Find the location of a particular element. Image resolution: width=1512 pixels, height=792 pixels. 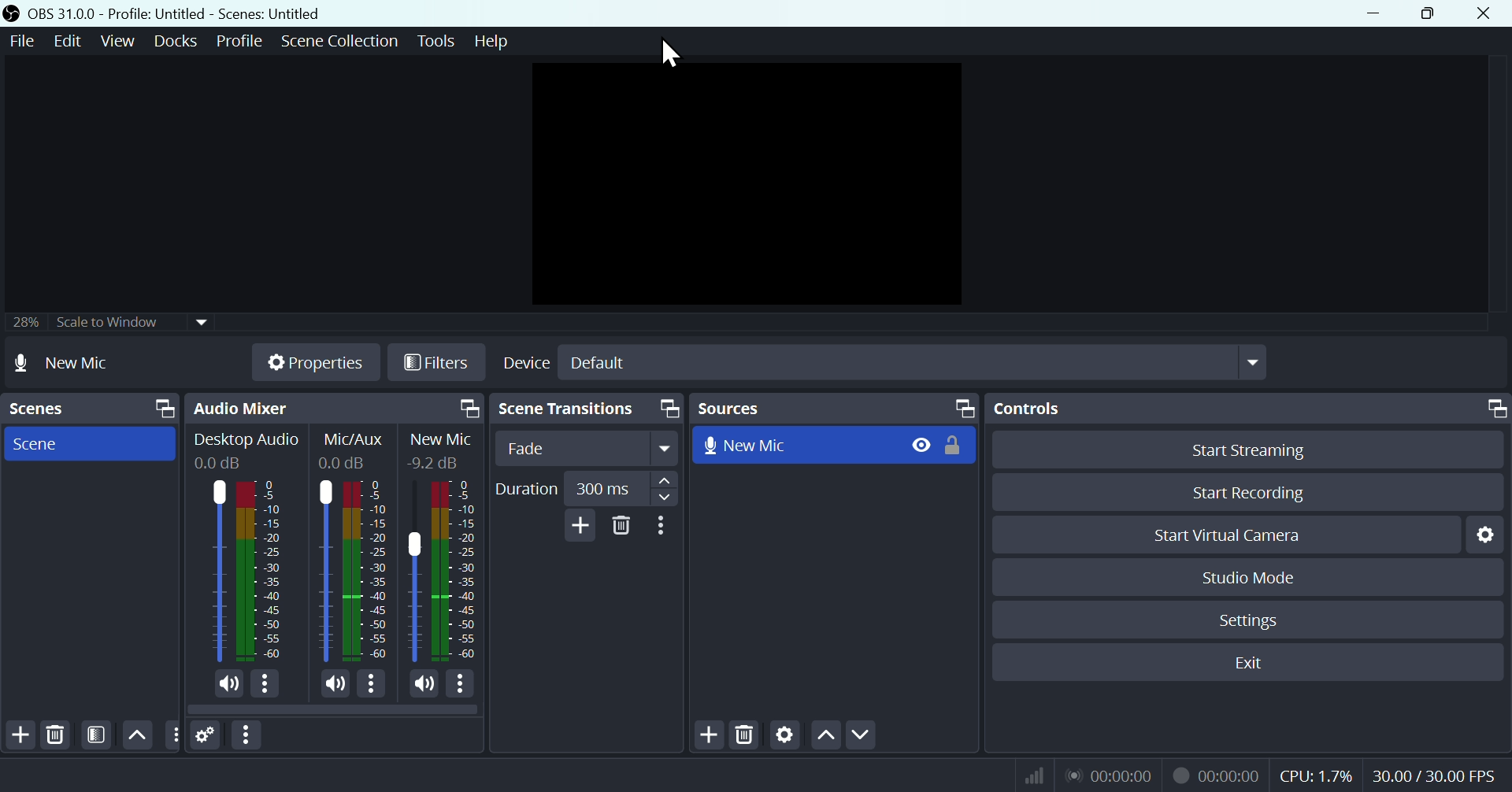

Properties is located at coordinates (314, 362).